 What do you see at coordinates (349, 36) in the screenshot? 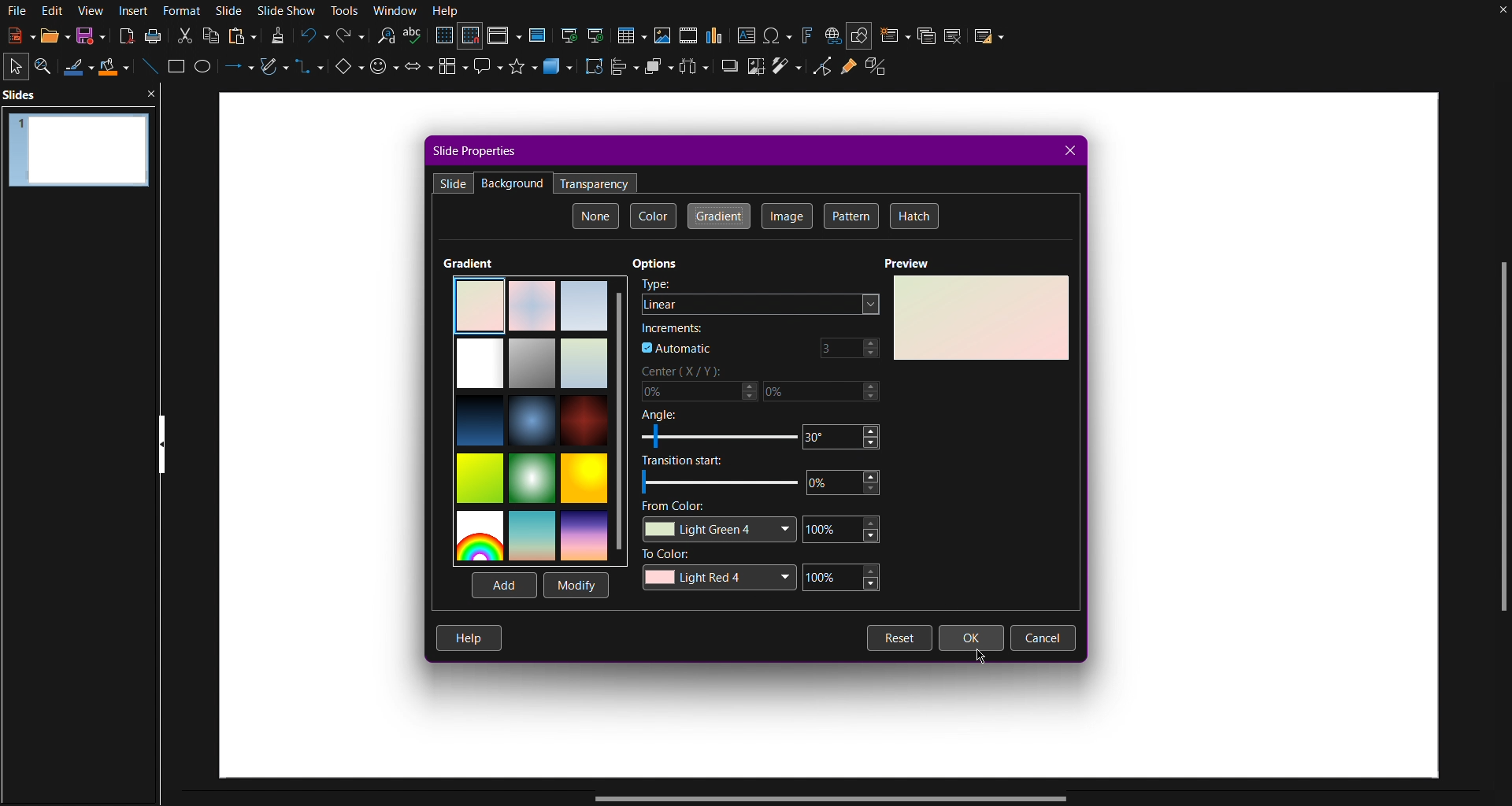
I see `Redo` at bounding box center [349, 36].